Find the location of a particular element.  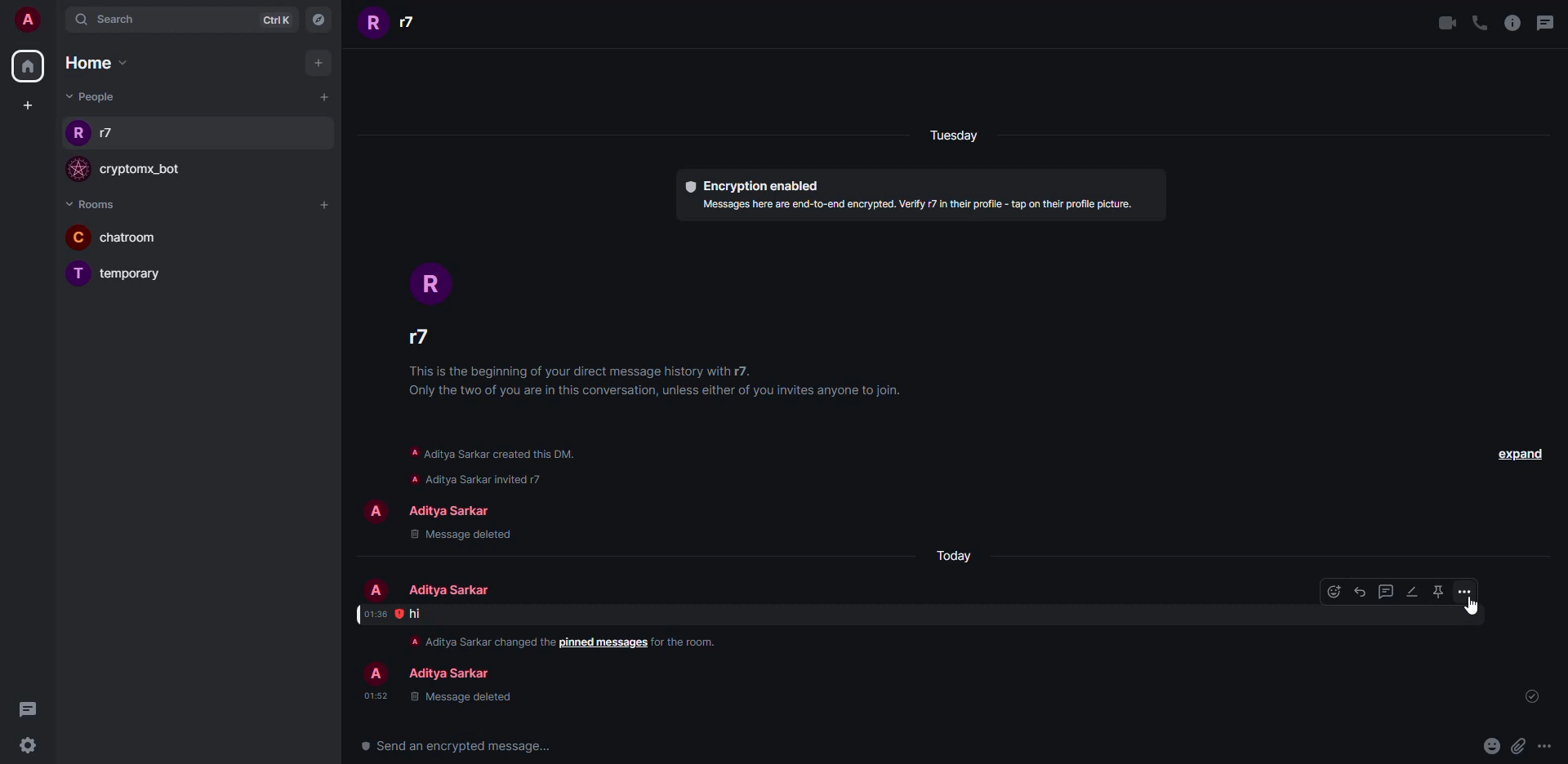

day is located at coordinates (973, 137).